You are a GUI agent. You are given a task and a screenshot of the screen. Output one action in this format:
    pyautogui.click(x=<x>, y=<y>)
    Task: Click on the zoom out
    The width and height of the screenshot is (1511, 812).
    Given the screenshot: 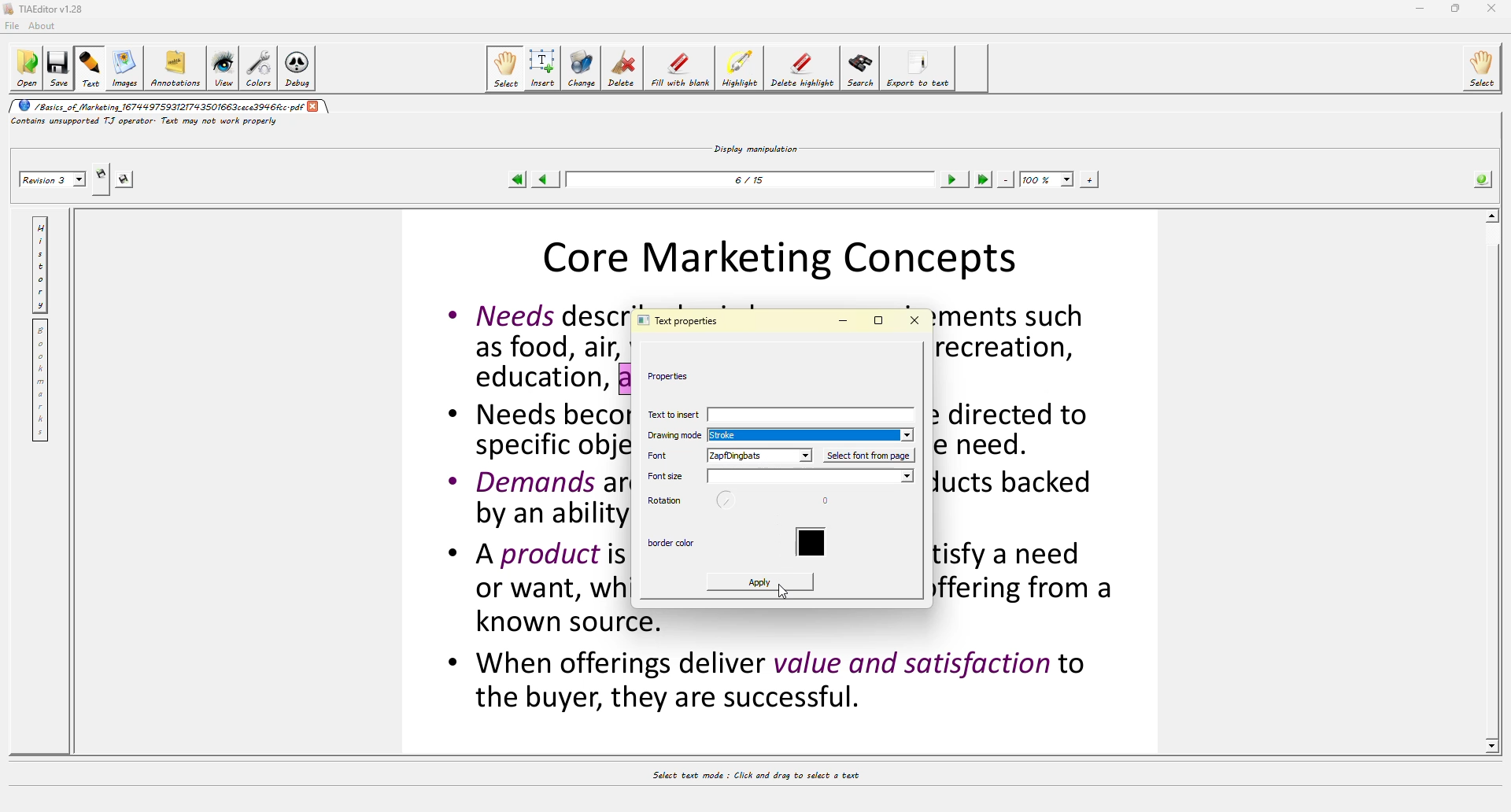 What is the action you would take?
    pyautogui.click(x=1007, y=179)
    